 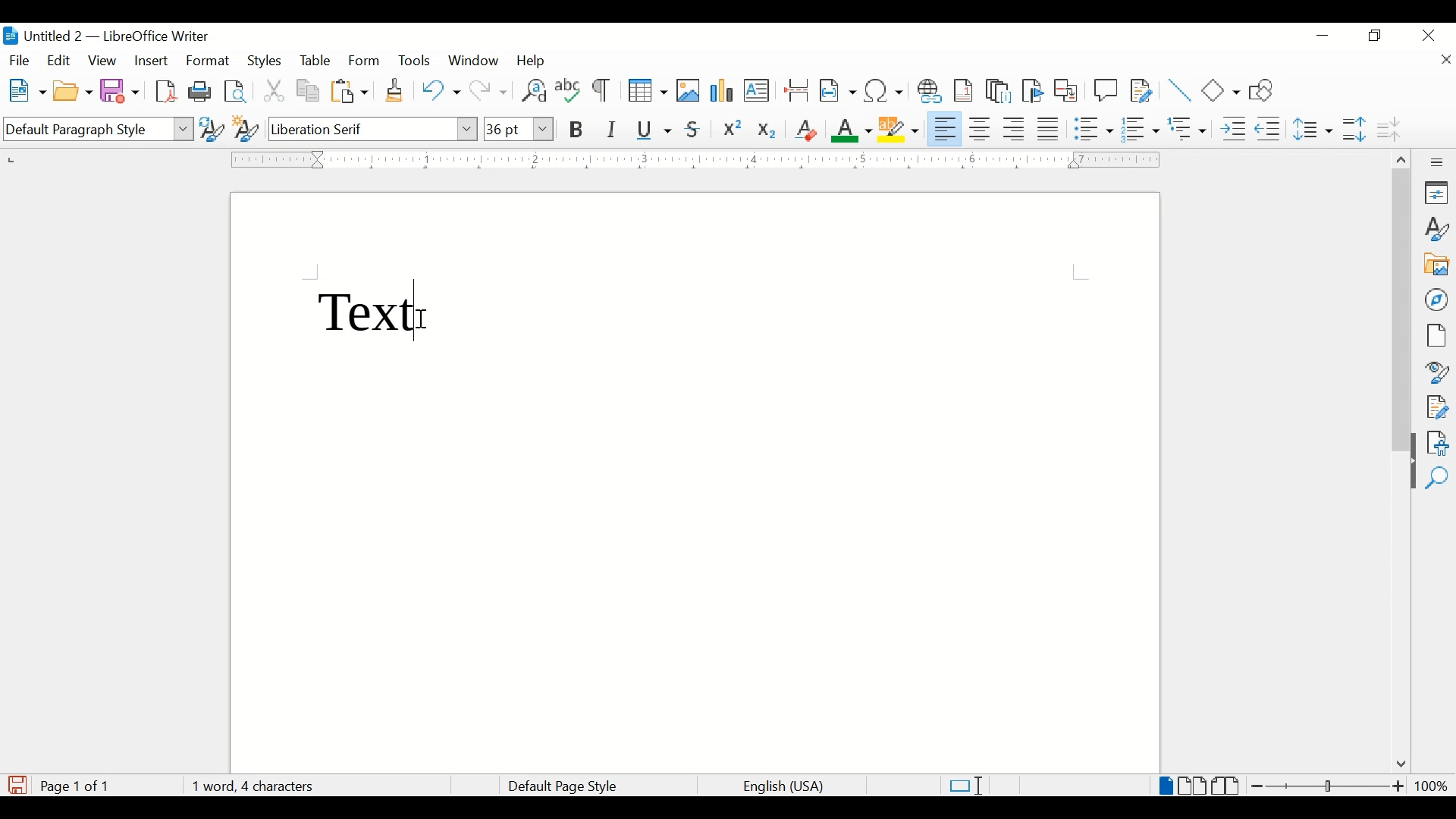 I want to click on font size, so click(x=518, y=128).